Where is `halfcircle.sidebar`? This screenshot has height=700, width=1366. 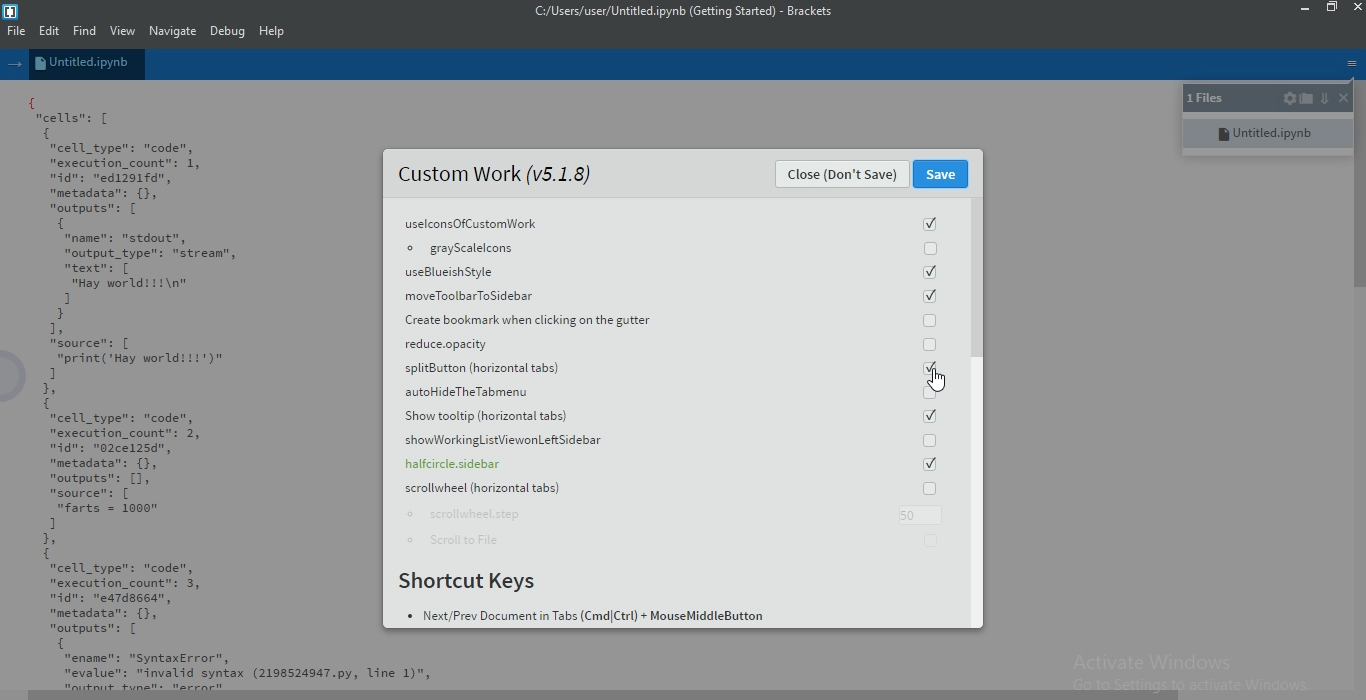
halfcircle.sidebar is located at coordinates (680, 465).